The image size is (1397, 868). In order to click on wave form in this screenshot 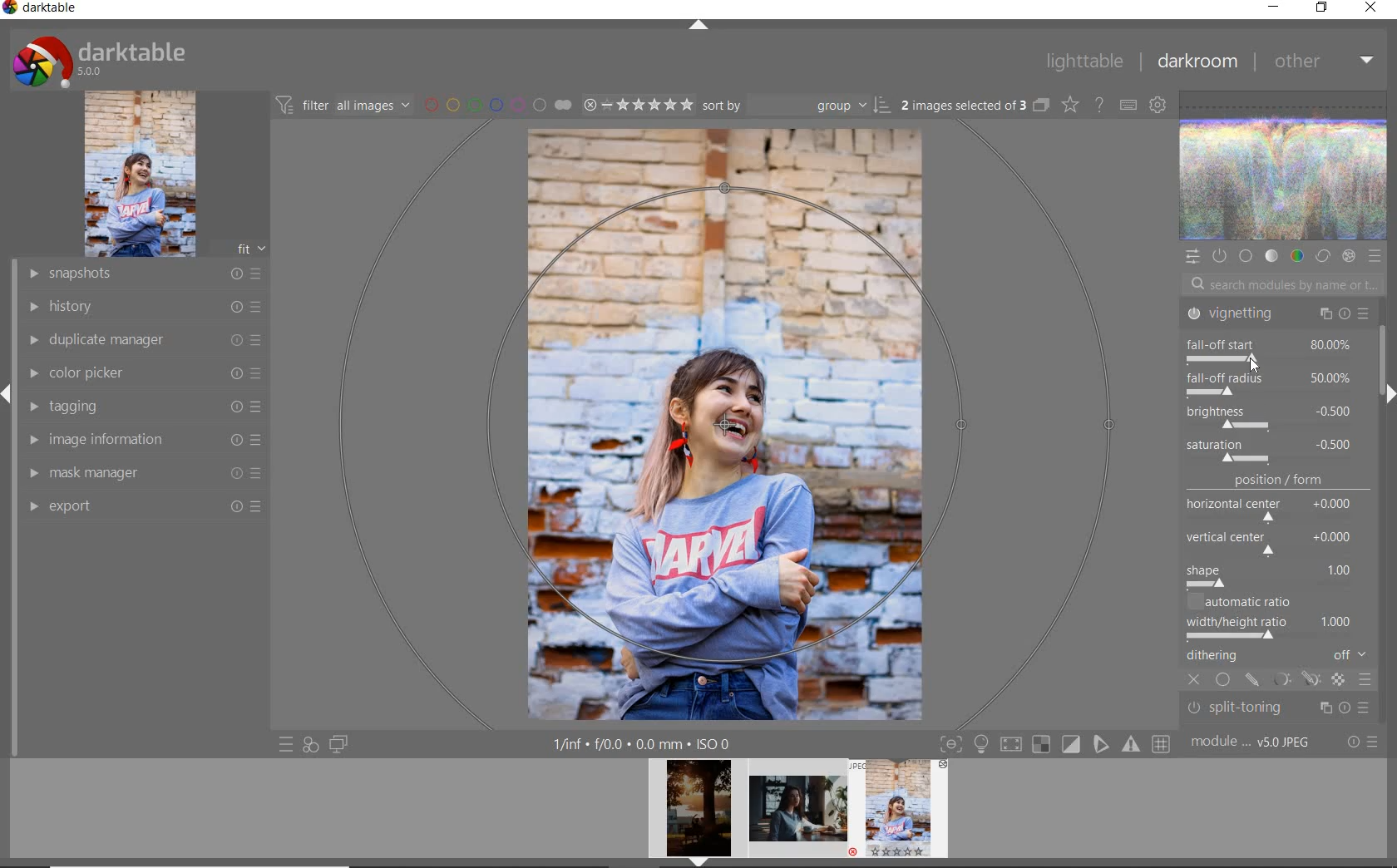, I will do `click(1285, 167)`.